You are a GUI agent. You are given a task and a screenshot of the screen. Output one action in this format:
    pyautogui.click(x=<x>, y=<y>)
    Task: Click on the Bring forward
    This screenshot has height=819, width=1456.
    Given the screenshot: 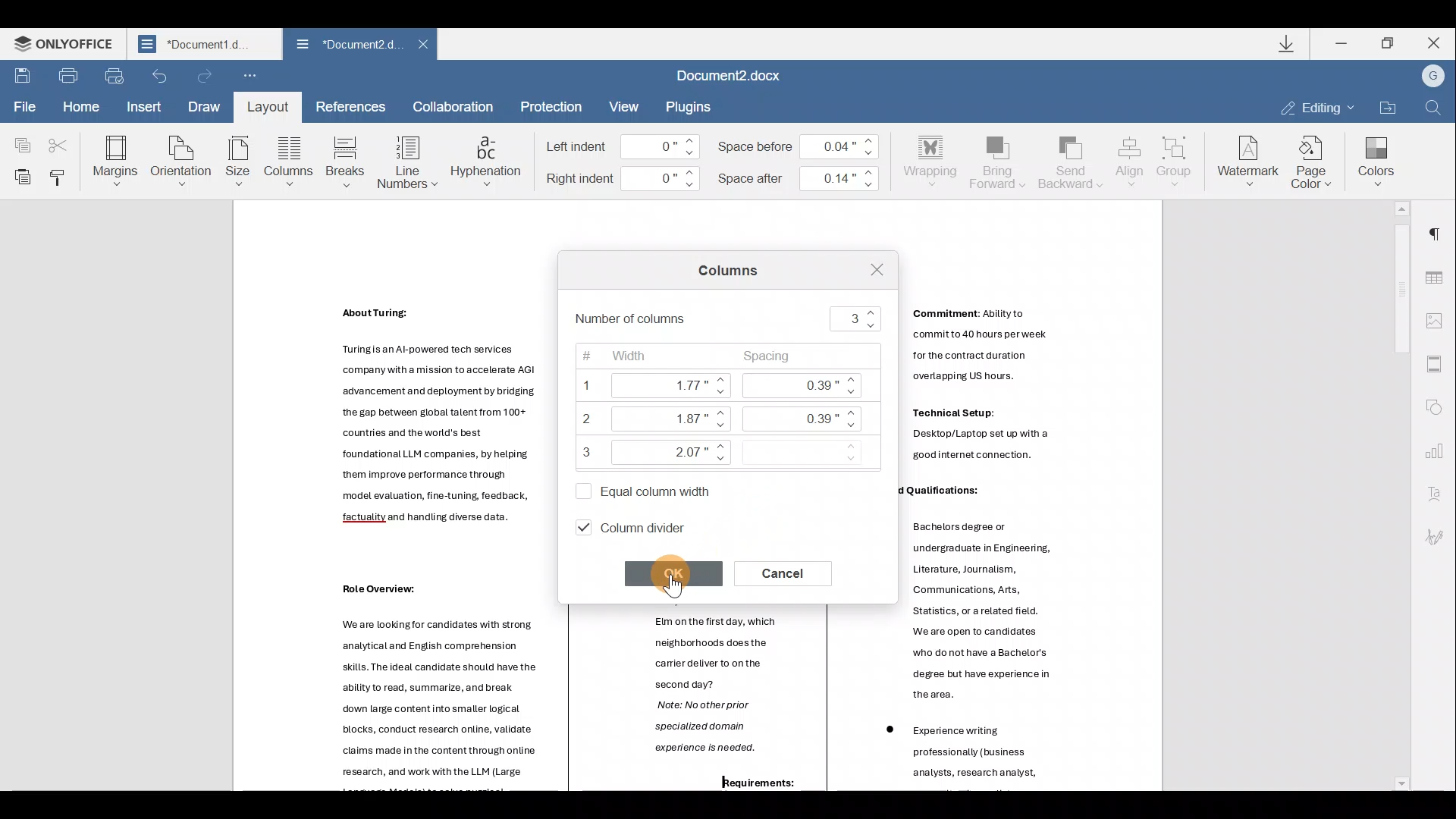 What is the action you would take?
    pyautogui.click(x=998, y=160)
    